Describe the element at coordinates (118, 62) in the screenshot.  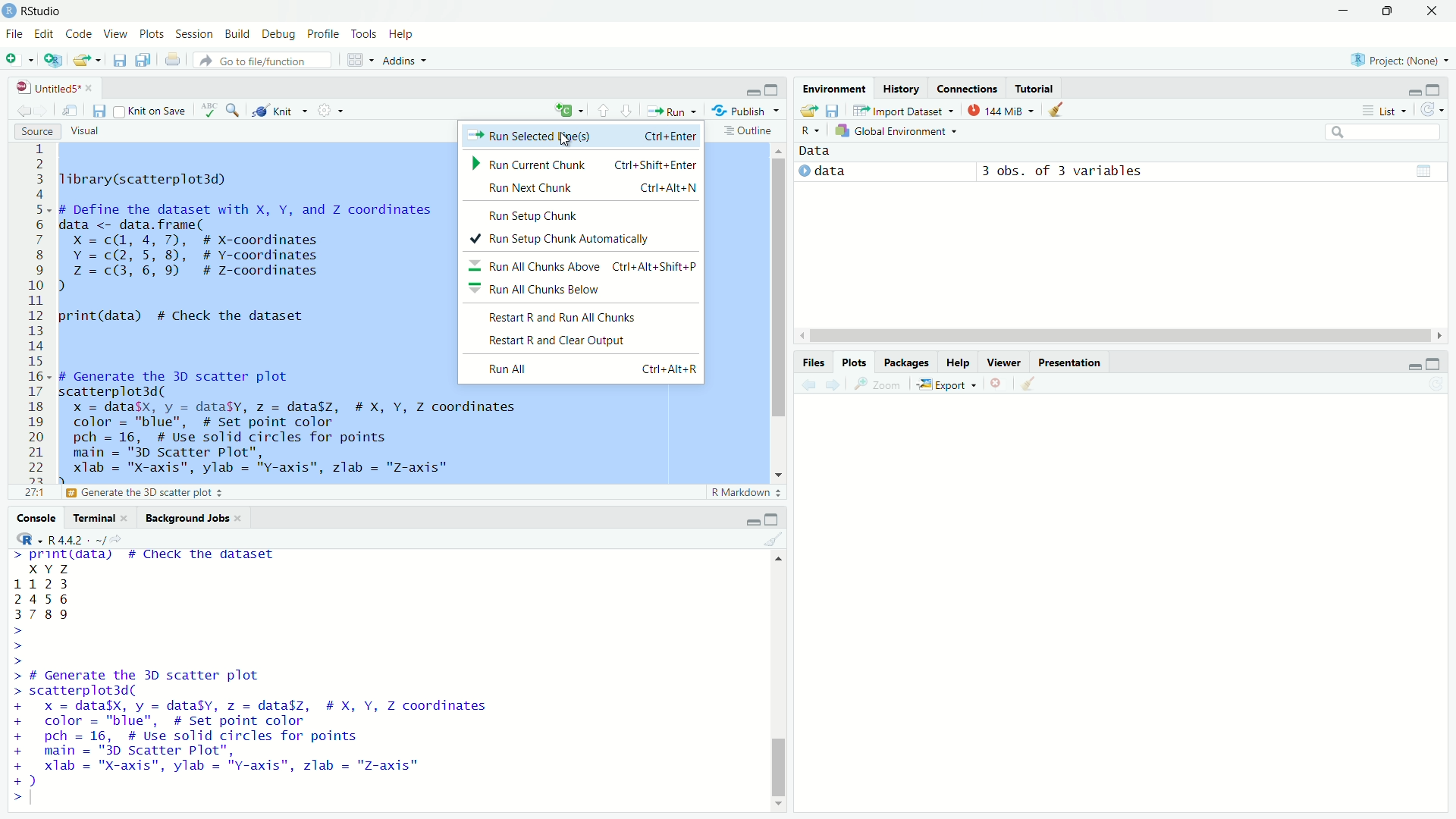
I see `save current document` at that location.